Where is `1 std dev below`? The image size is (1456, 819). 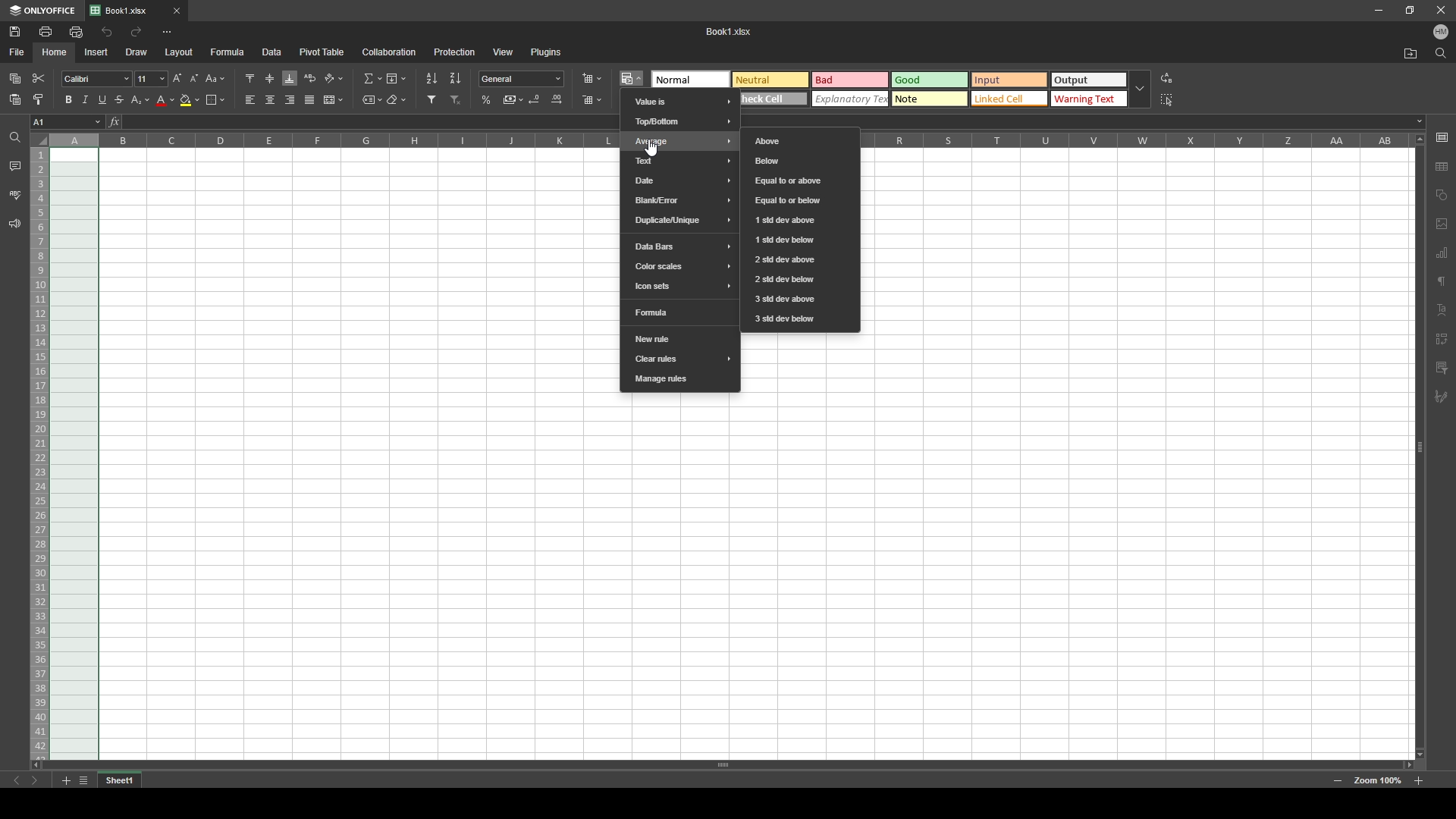
1 std dev below is located at coordinates (800, 240).